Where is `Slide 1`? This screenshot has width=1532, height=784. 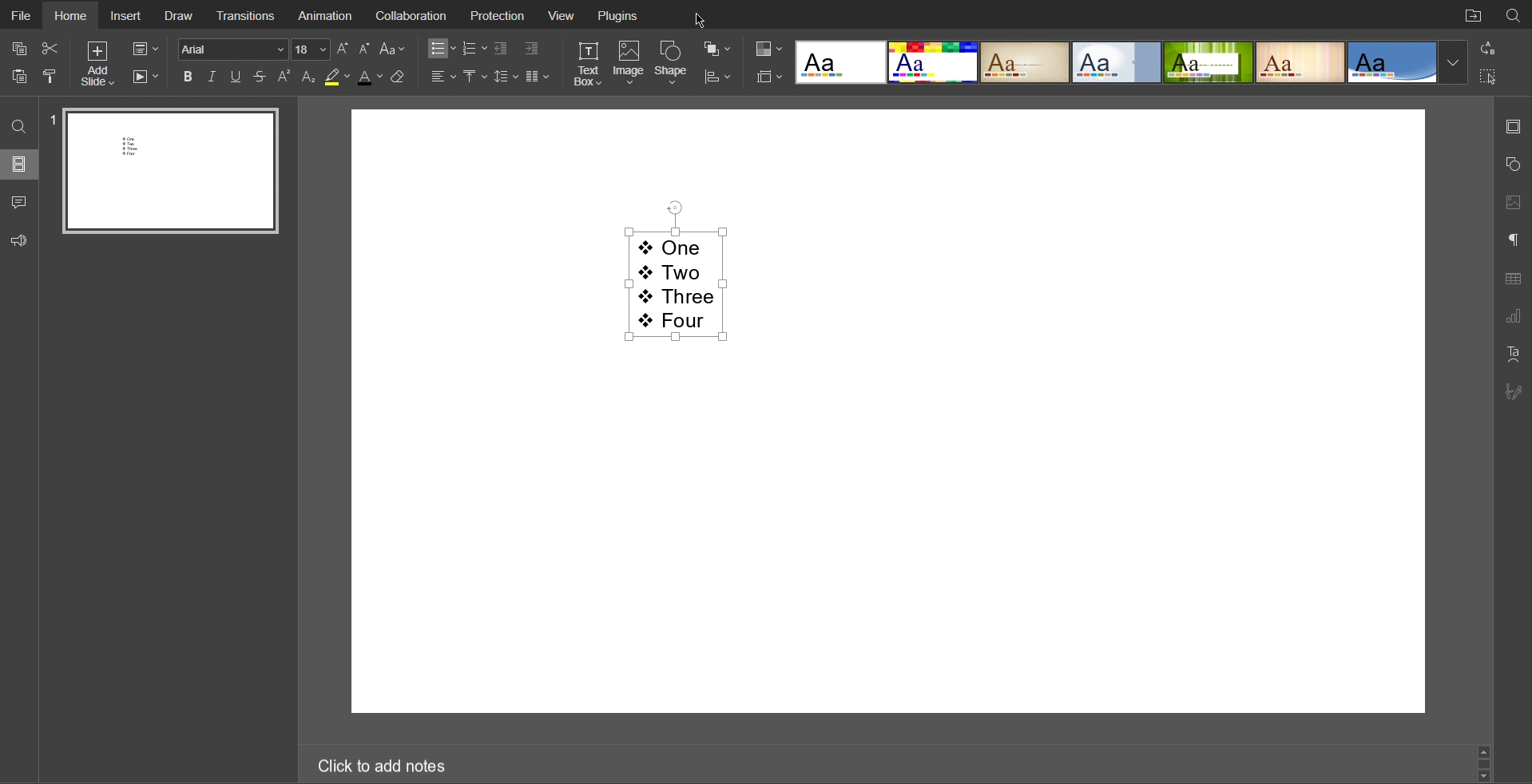
Slide 1 is located at coordinates (168, 173).